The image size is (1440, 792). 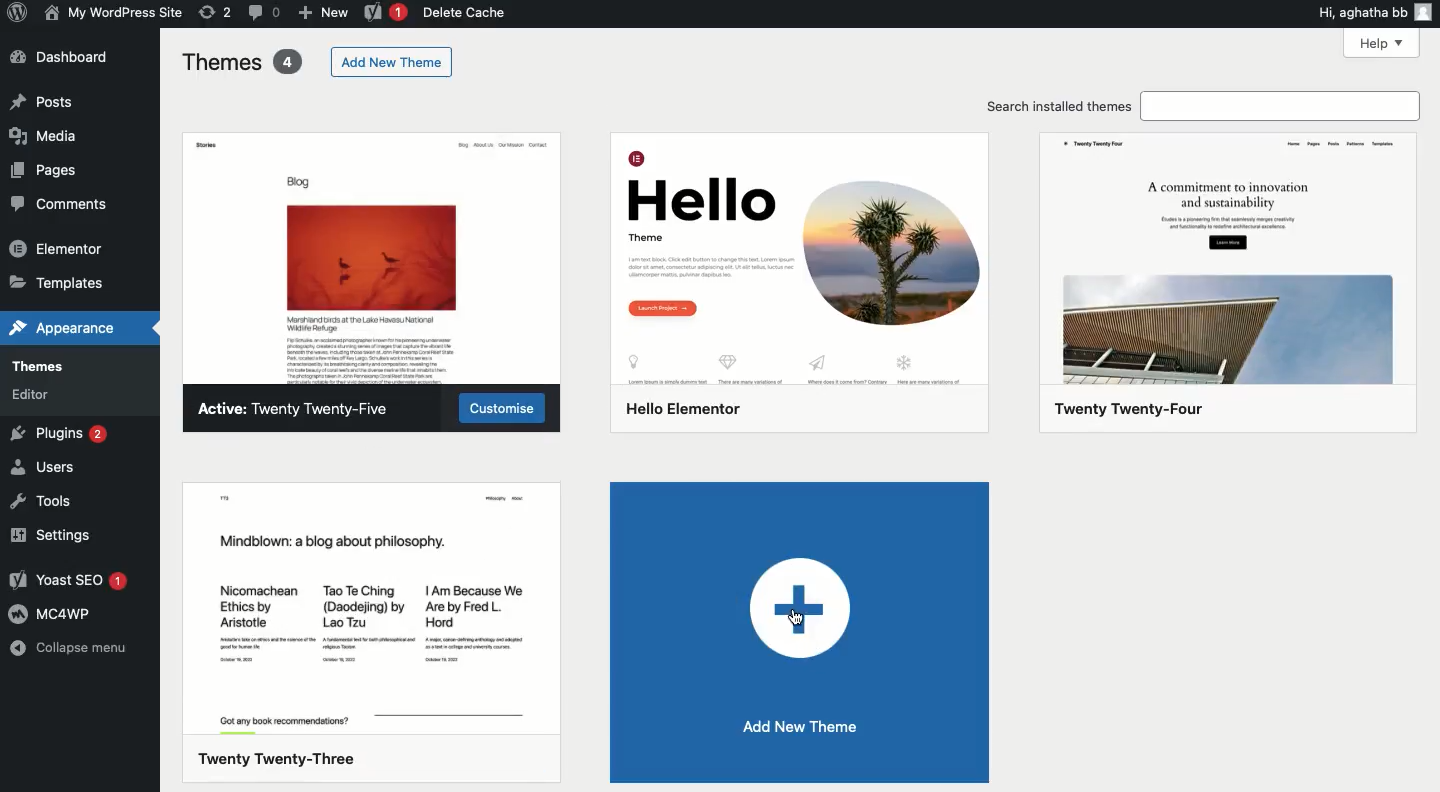 What do you see at coordinates (60, 245) in the screenshot?
I see `Elementor` at bounding box center [60, 245].